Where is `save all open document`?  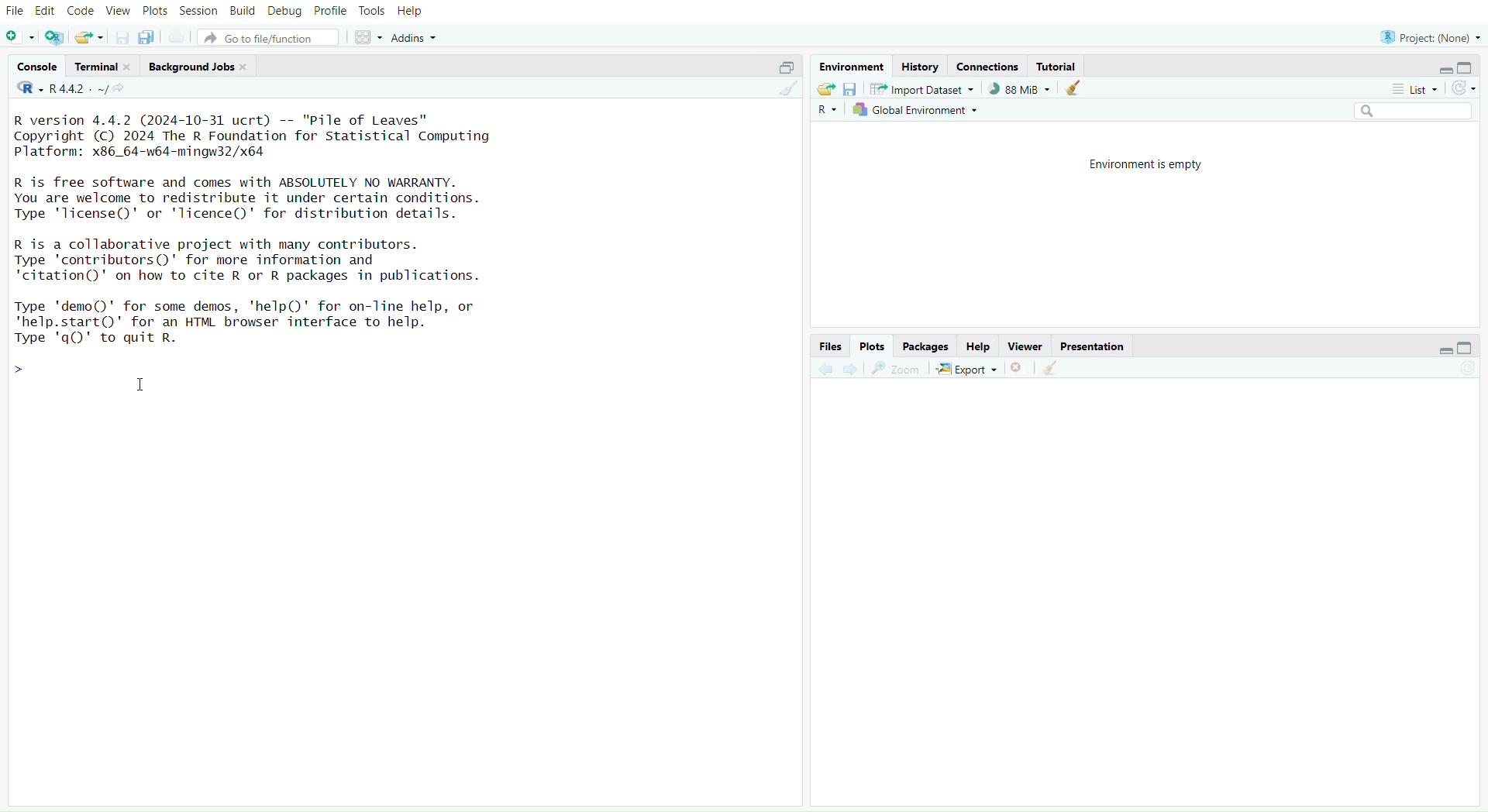
save all open document is located at coordinates (146, 38).